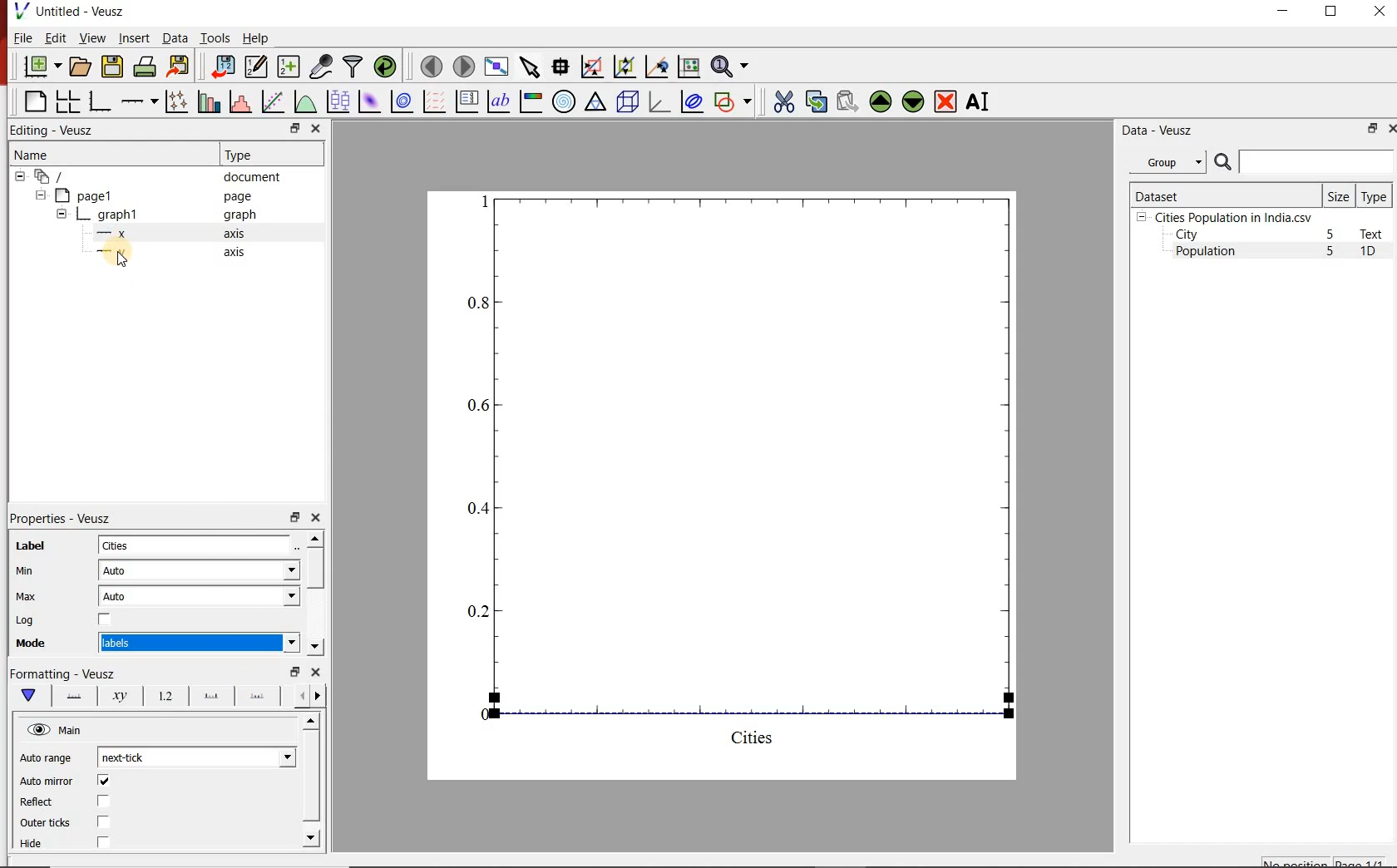 This screenshot has width=1397, height=868. I want to click on renames the selected widget, so click(979, 101).